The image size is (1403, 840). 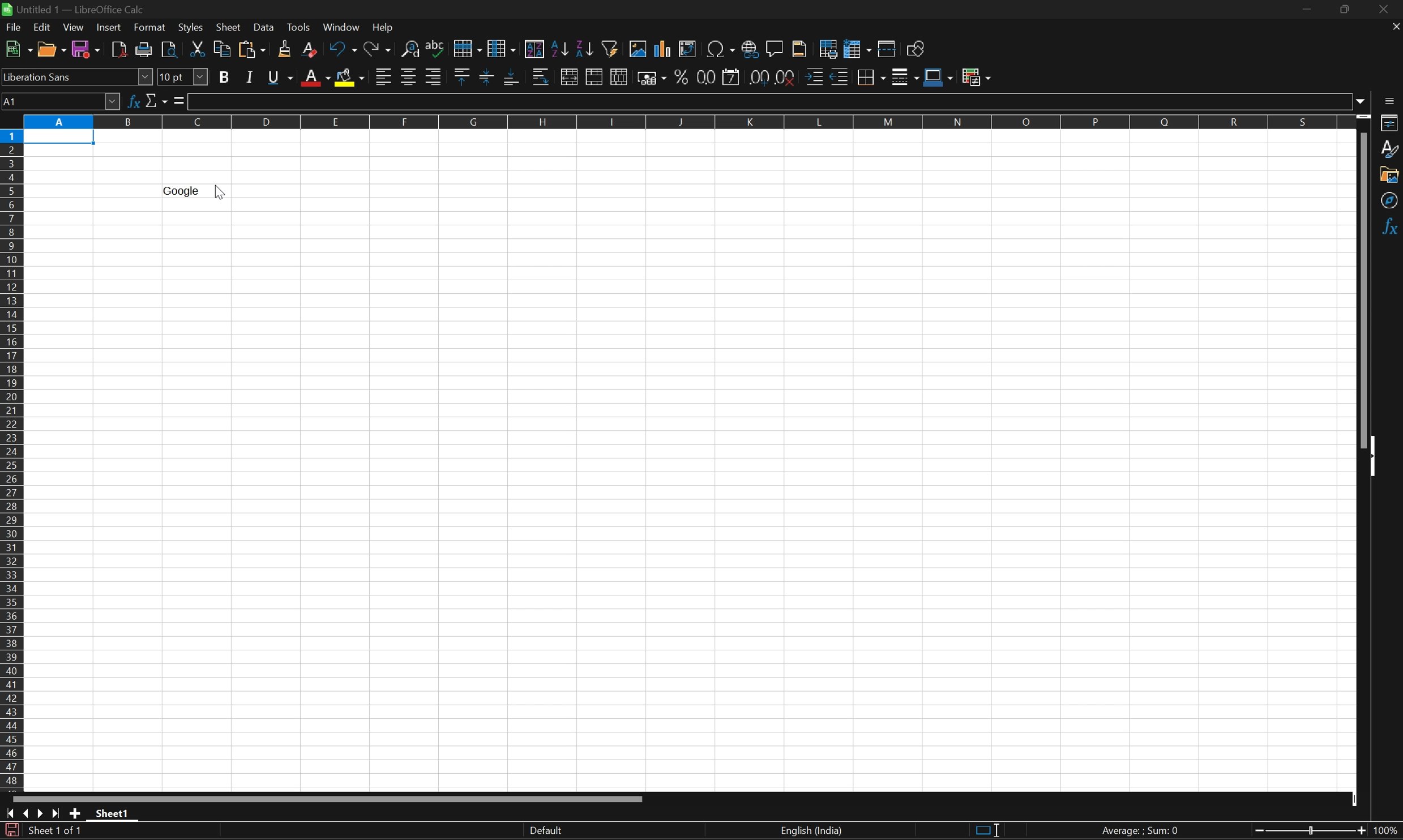 I want to click on Sheet1, so click(x=113, y=813).